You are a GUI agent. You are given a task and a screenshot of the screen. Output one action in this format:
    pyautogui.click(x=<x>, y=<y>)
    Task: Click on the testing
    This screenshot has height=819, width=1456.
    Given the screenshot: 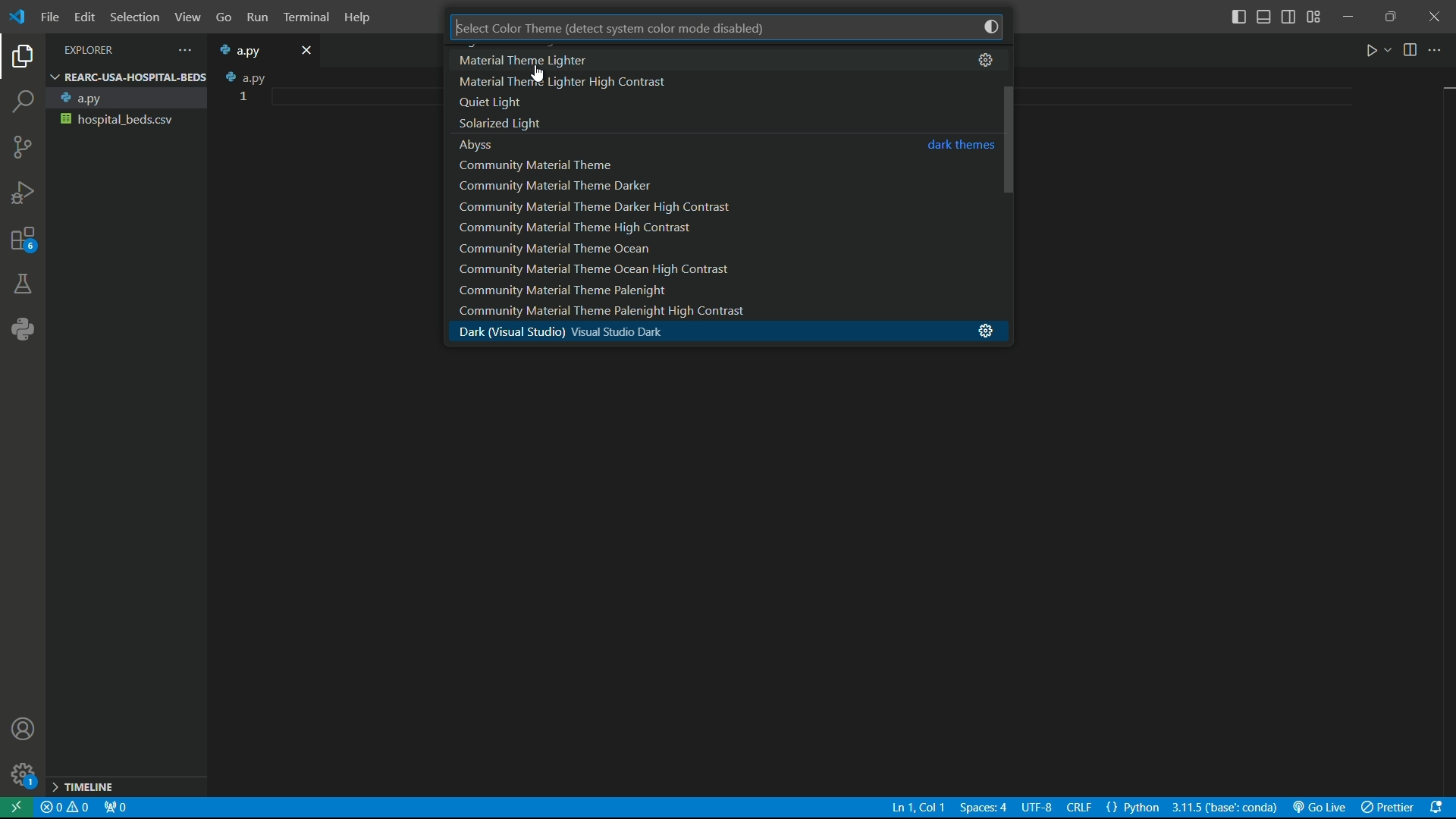 What is the action you would take?
    pyautogui.click(x=23, y=286)
    